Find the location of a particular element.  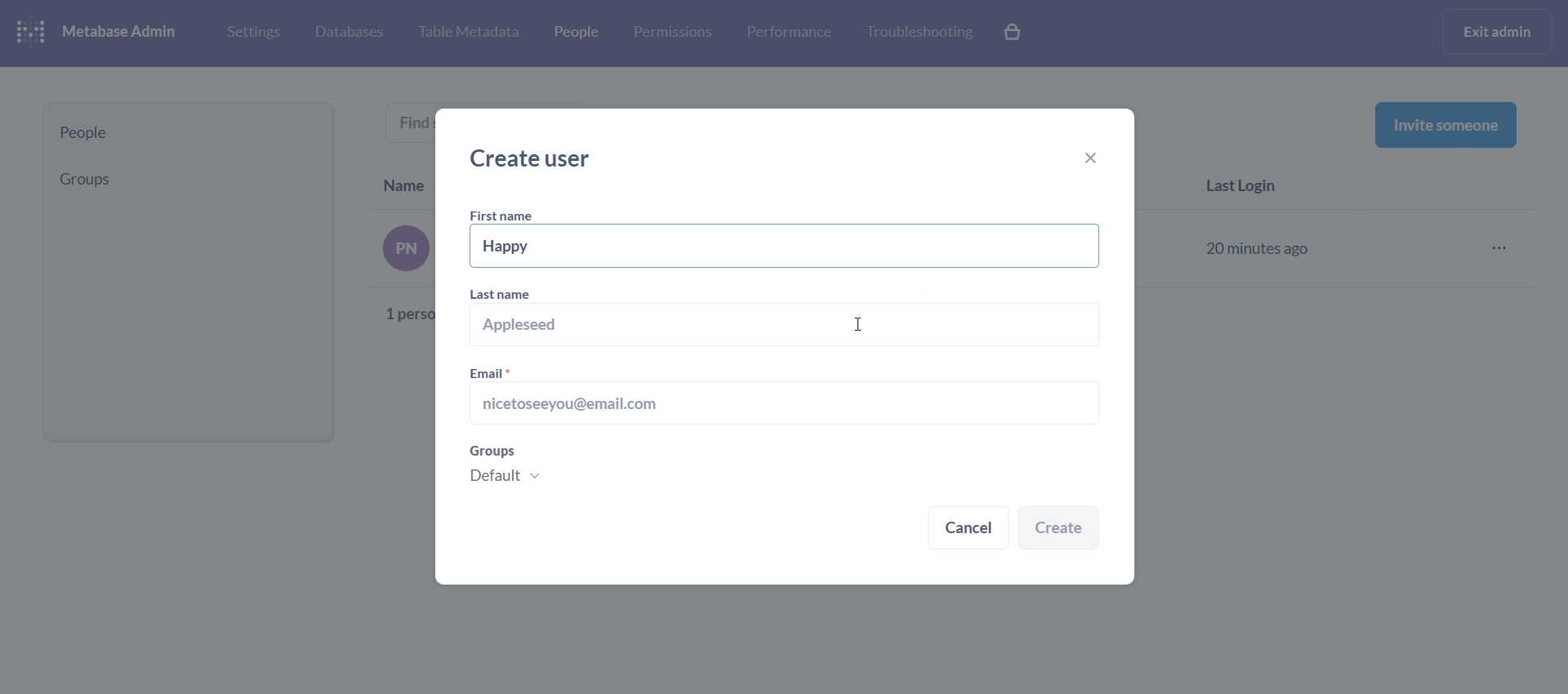

Name is located at coordinates (405, 182).